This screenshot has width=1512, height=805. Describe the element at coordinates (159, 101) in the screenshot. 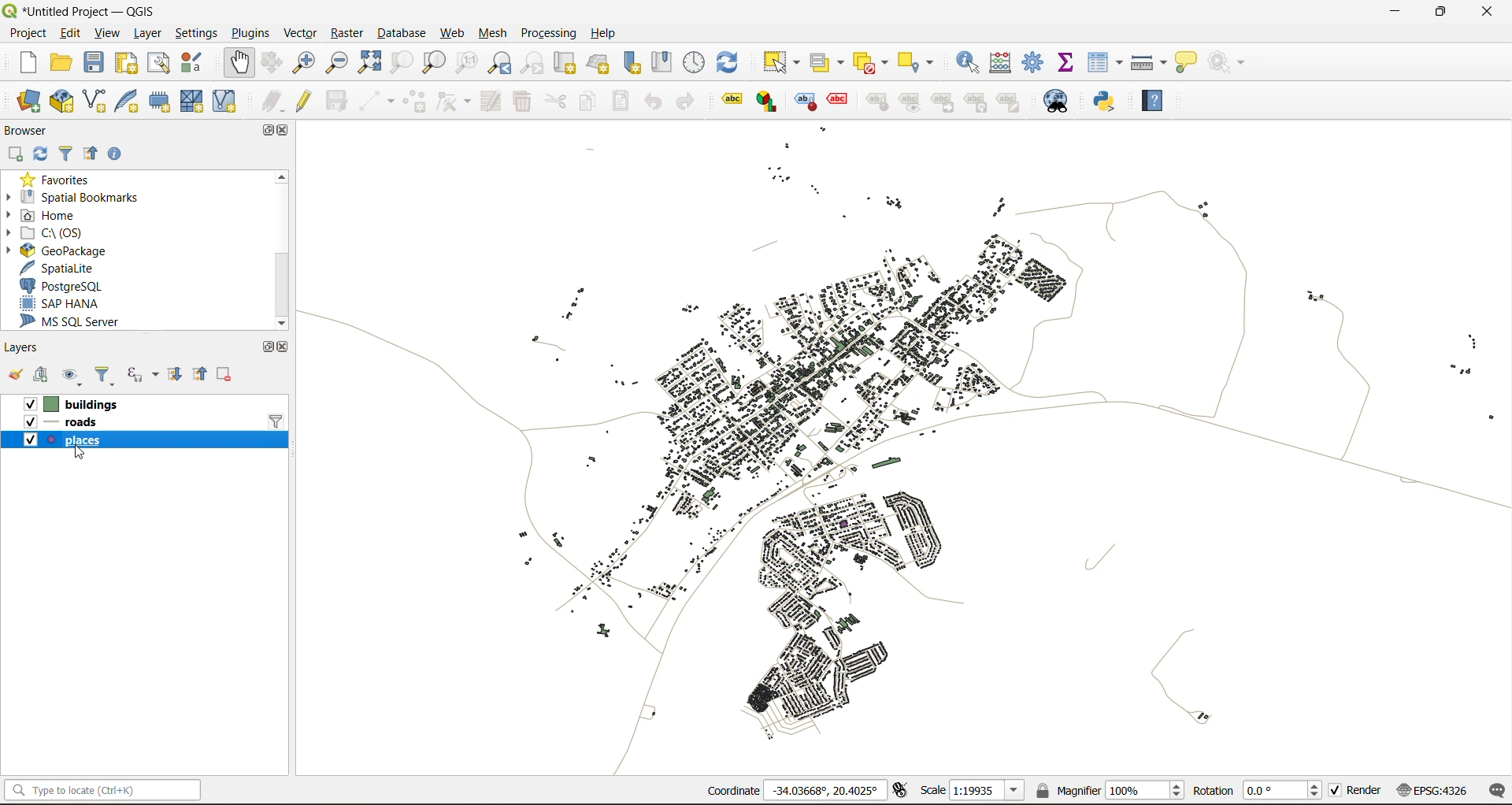

I see `new temporary scratch file layer` at that location.